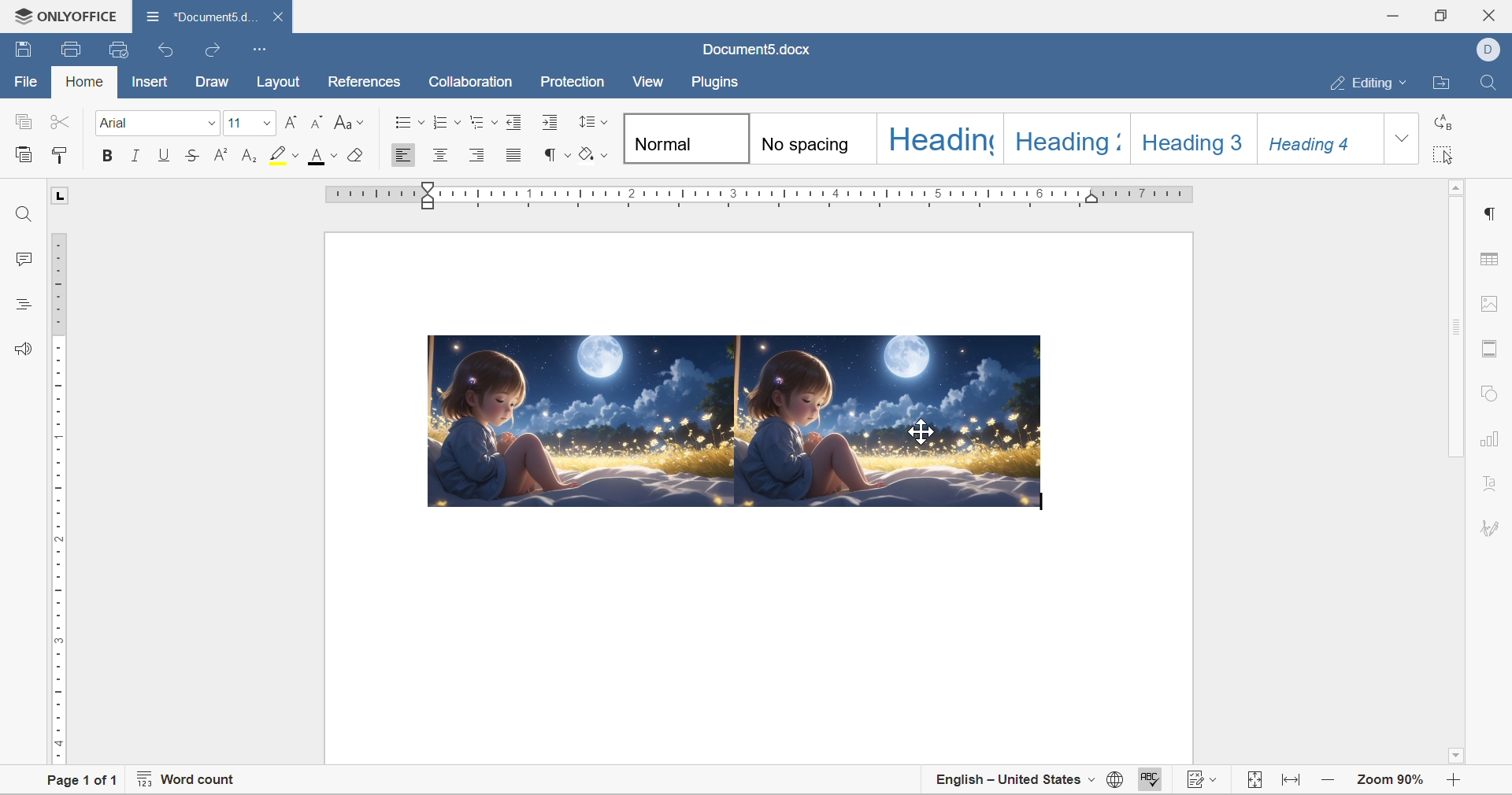 The image size is (1512, 795). I want to click on Change case, so click(350, 124).